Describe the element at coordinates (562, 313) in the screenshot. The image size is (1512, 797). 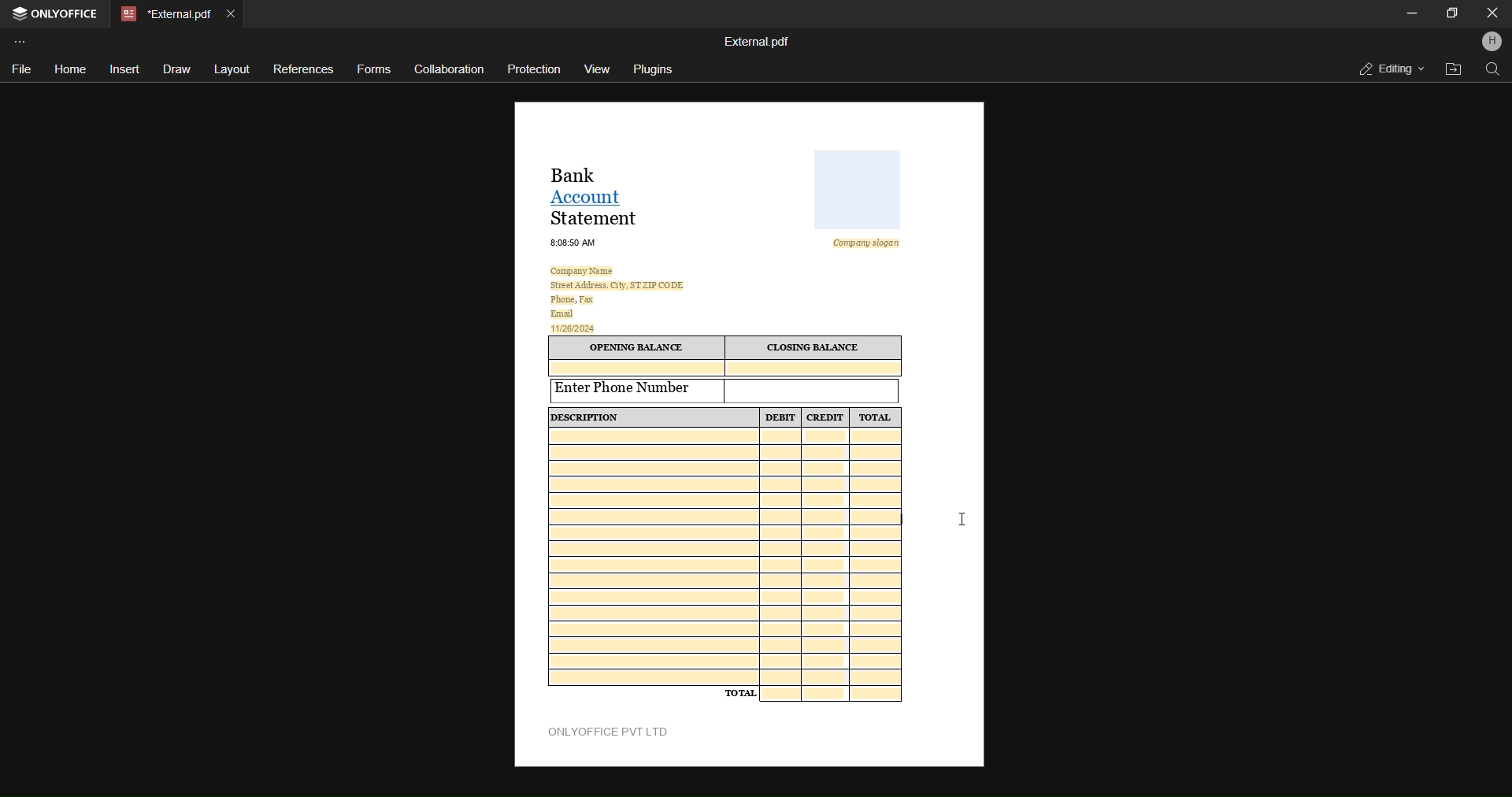
I see `Email` at that location.